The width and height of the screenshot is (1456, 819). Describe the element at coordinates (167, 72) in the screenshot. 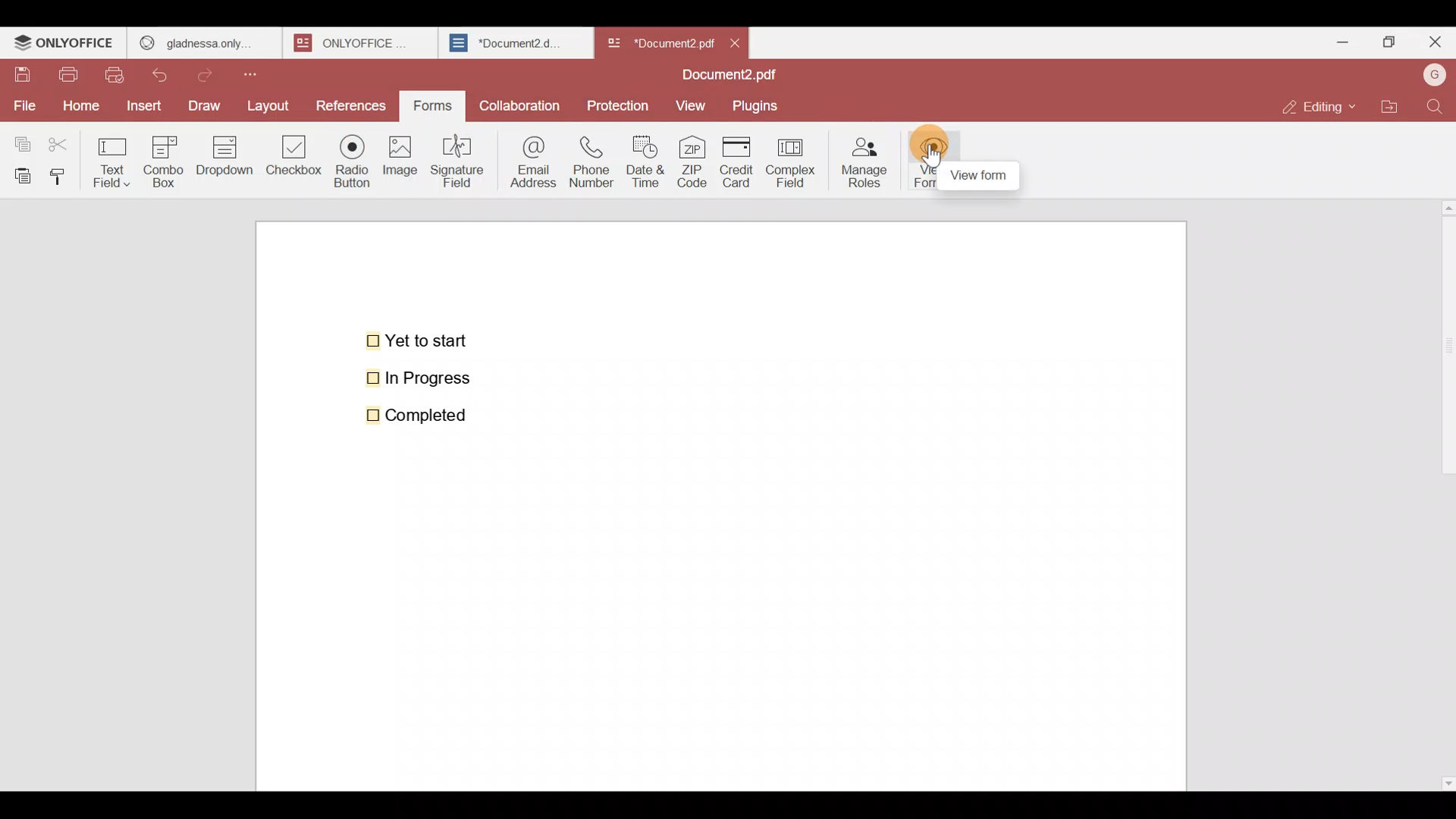

I see `Undo` at that location.